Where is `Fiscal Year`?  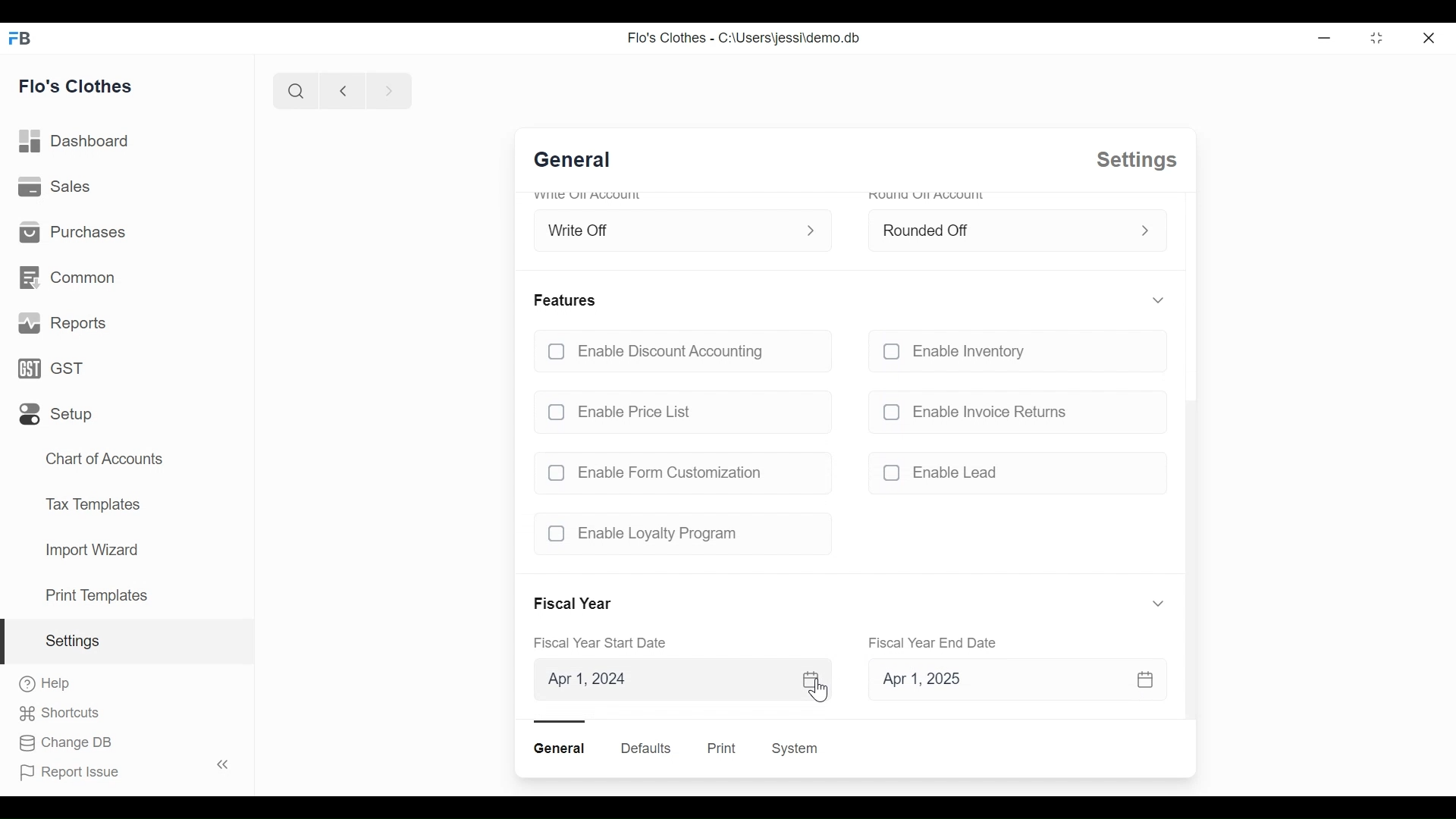
Fiscal Year is located at coordinates (576, 604).